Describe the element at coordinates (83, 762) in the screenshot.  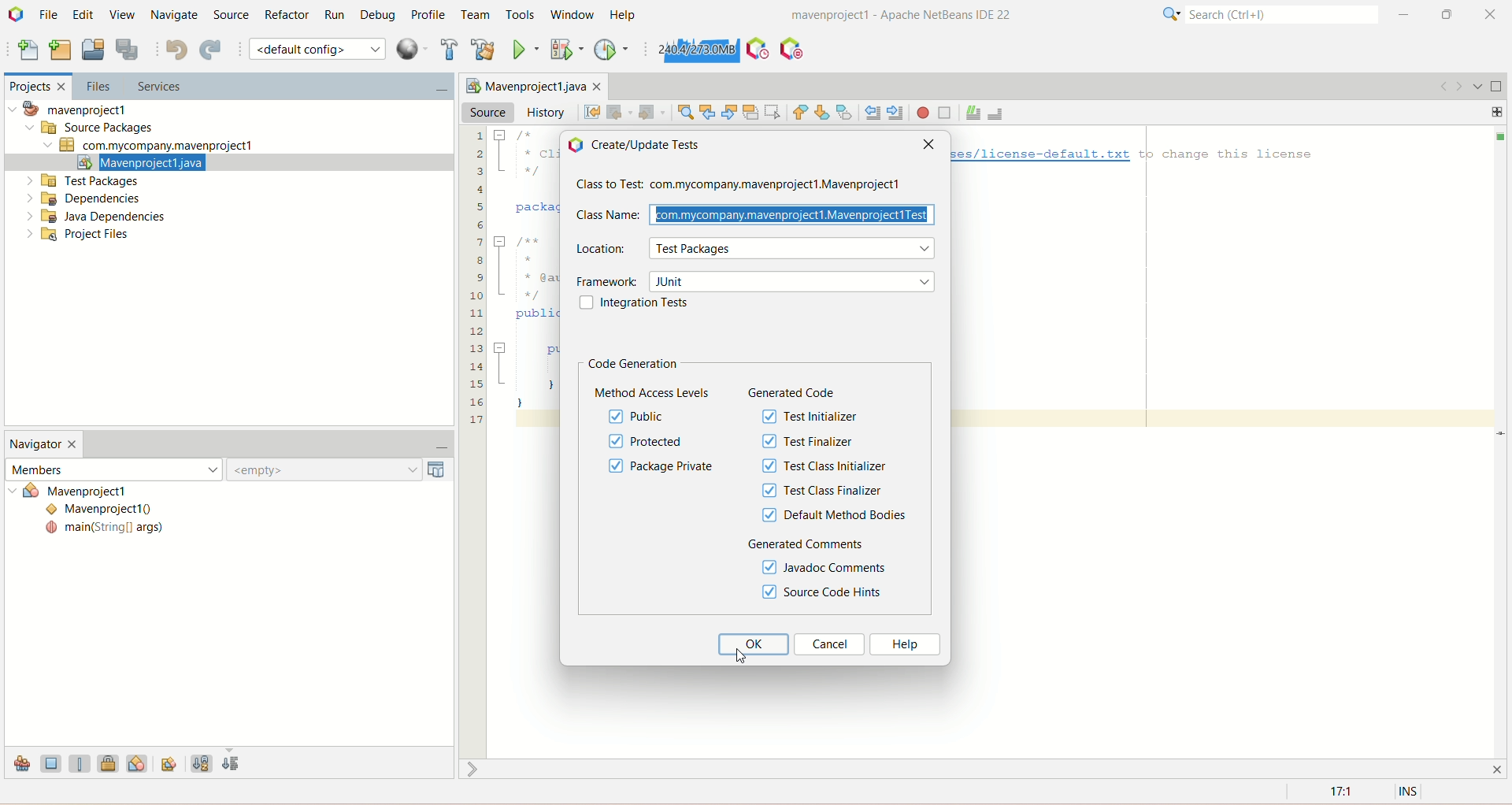
I see `show static members` at that location.